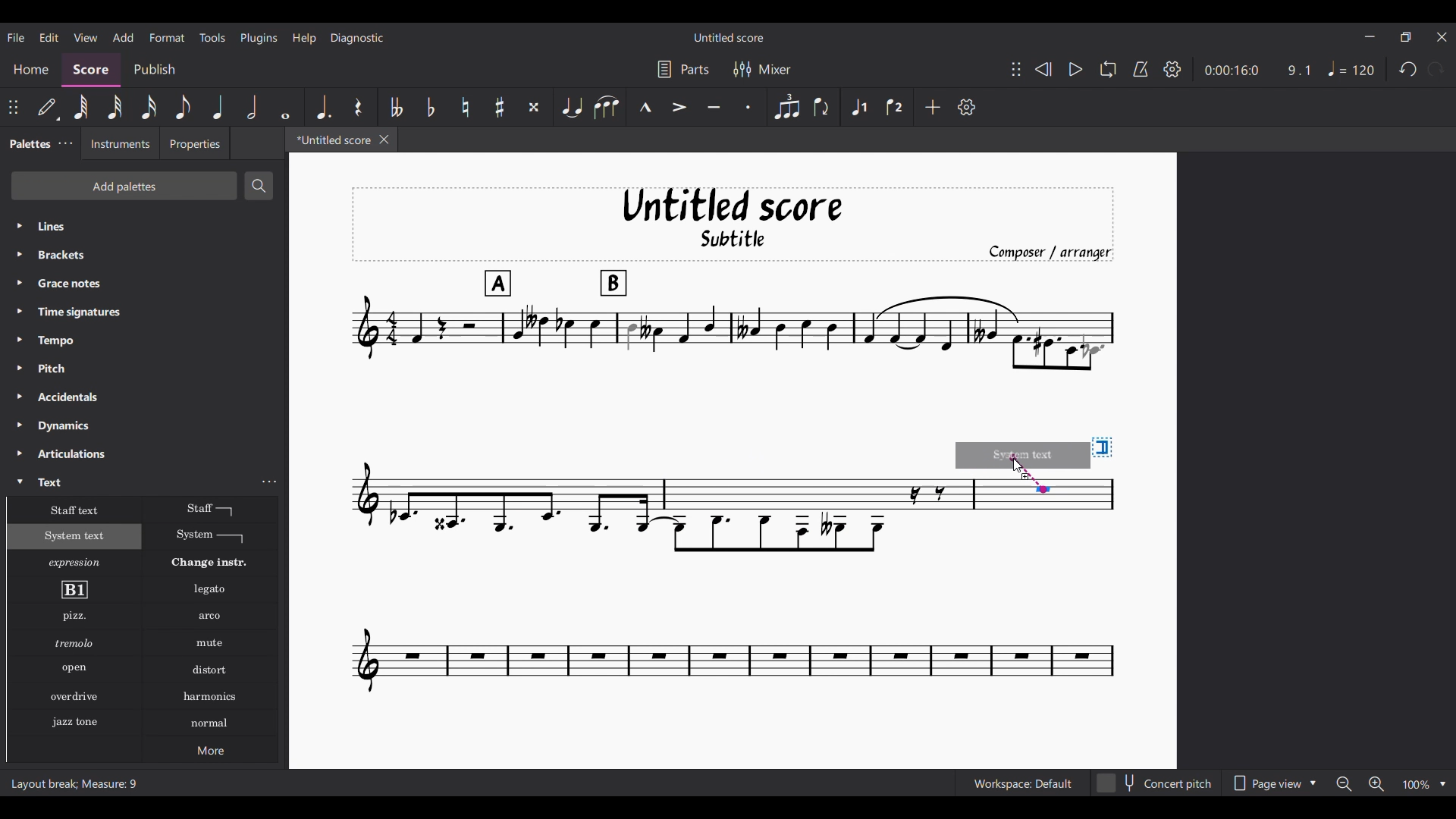  I want to click on Score, current section highlighted, so click(91, 70).